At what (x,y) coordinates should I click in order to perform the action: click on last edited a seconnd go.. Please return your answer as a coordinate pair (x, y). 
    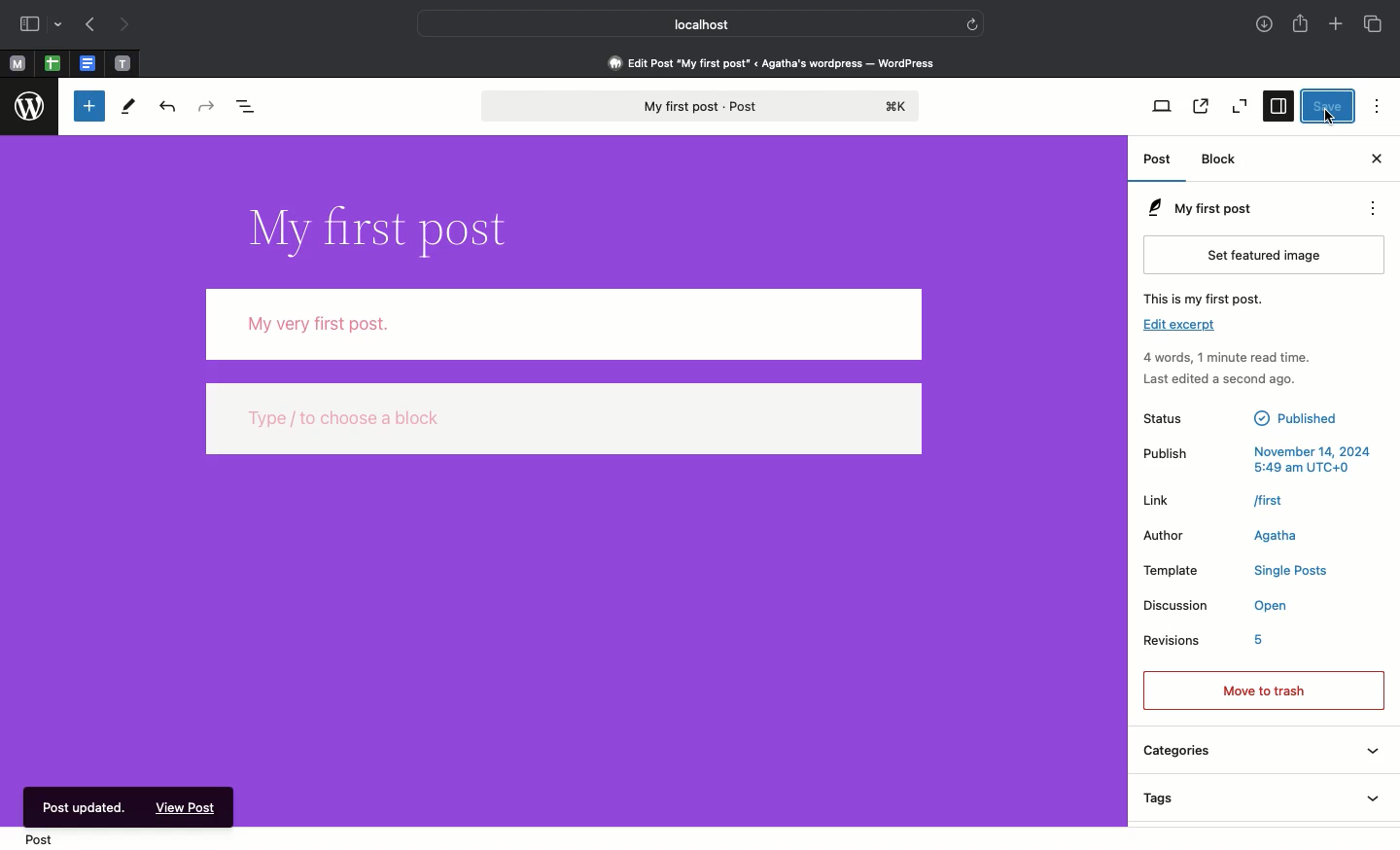
    Looking at the image, I should click on (1241, 385).